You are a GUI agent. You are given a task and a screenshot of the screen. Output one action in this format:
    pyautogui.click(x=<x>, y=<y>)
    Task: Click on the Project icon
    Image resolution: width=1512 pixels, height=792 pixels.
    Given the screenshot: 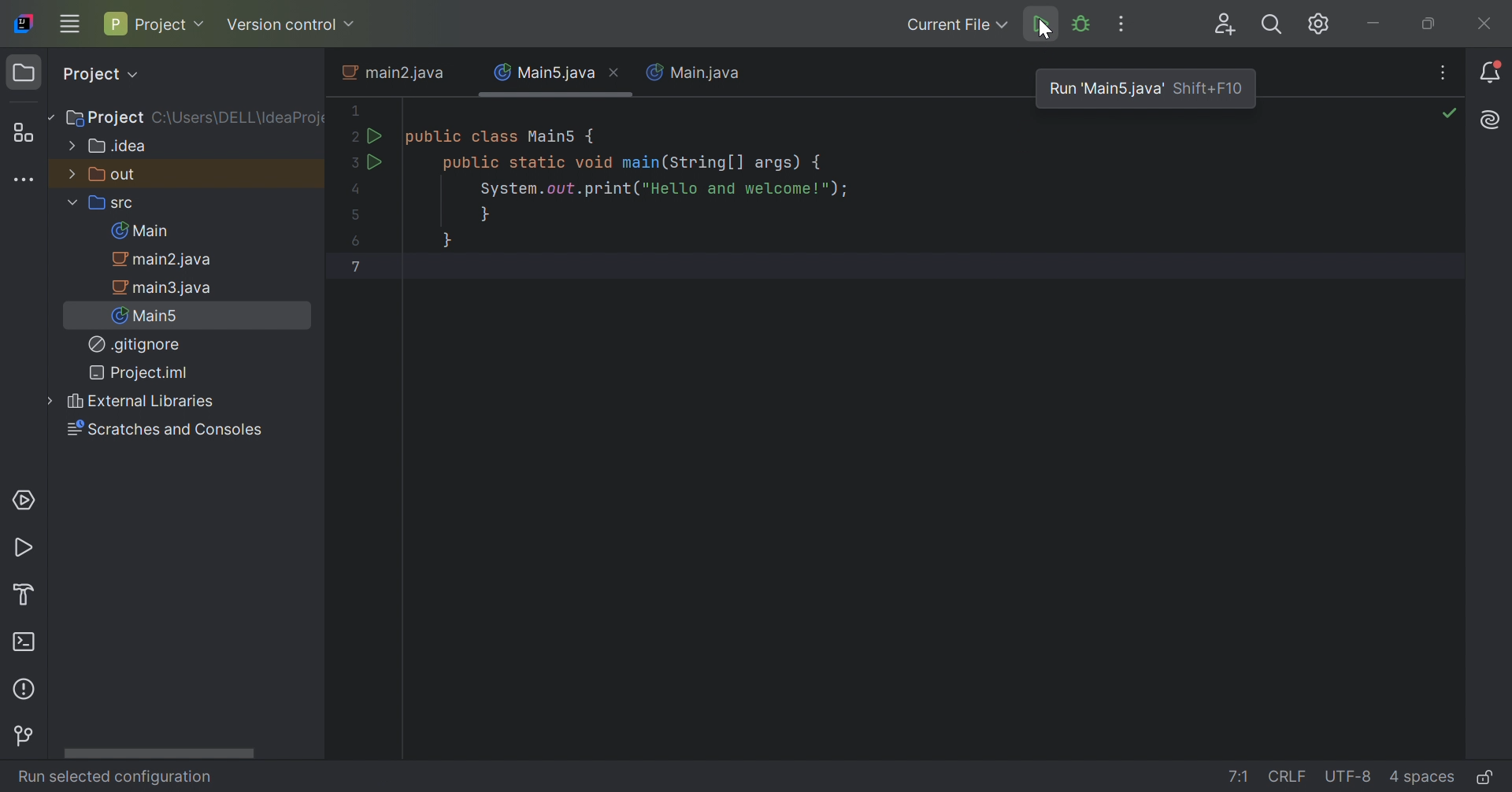 What is the action you would take?
    pyautogui.click(x=24, y=73)
    